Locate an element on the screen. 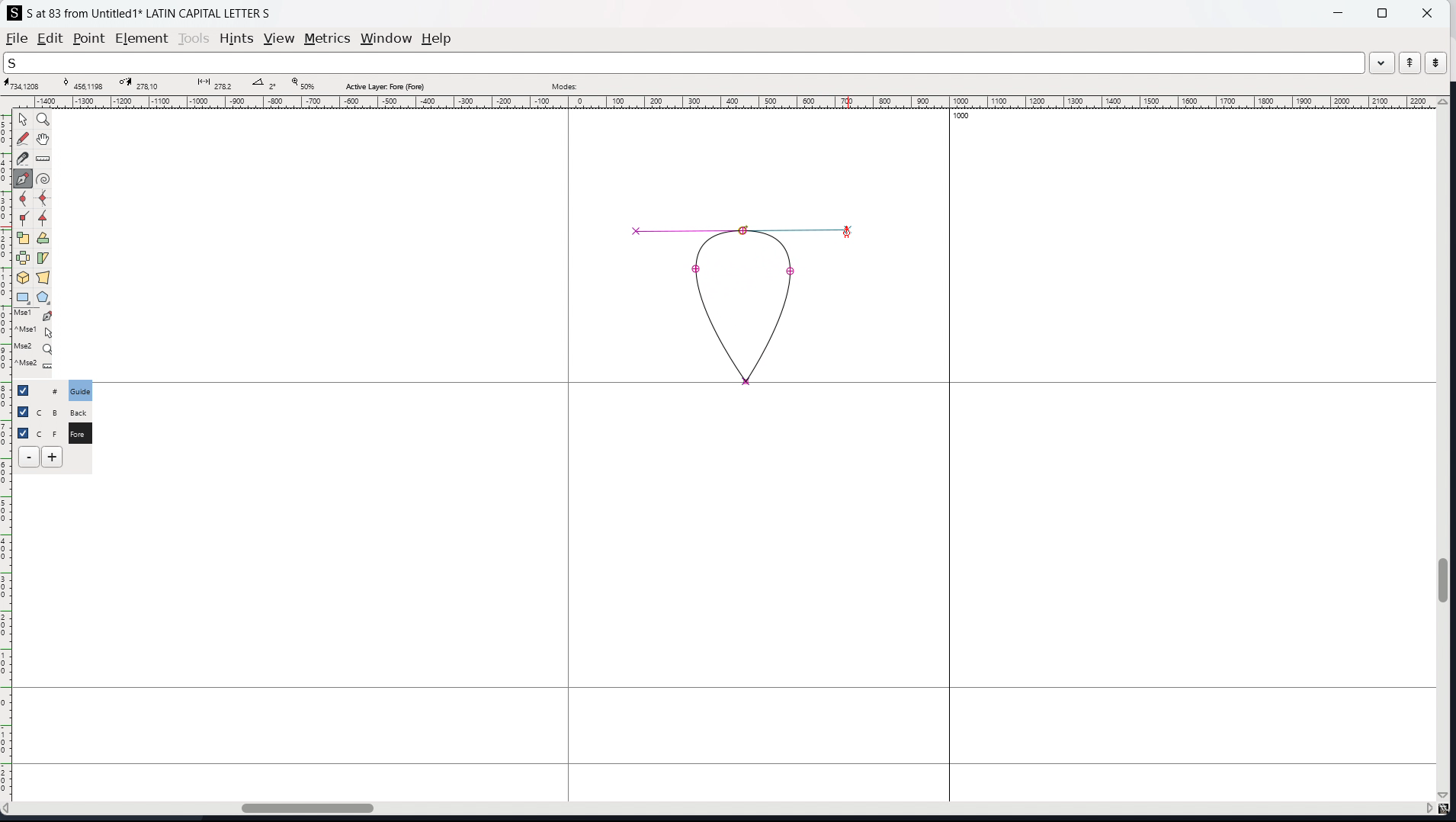  add layers is located at coordinates (52, 457).